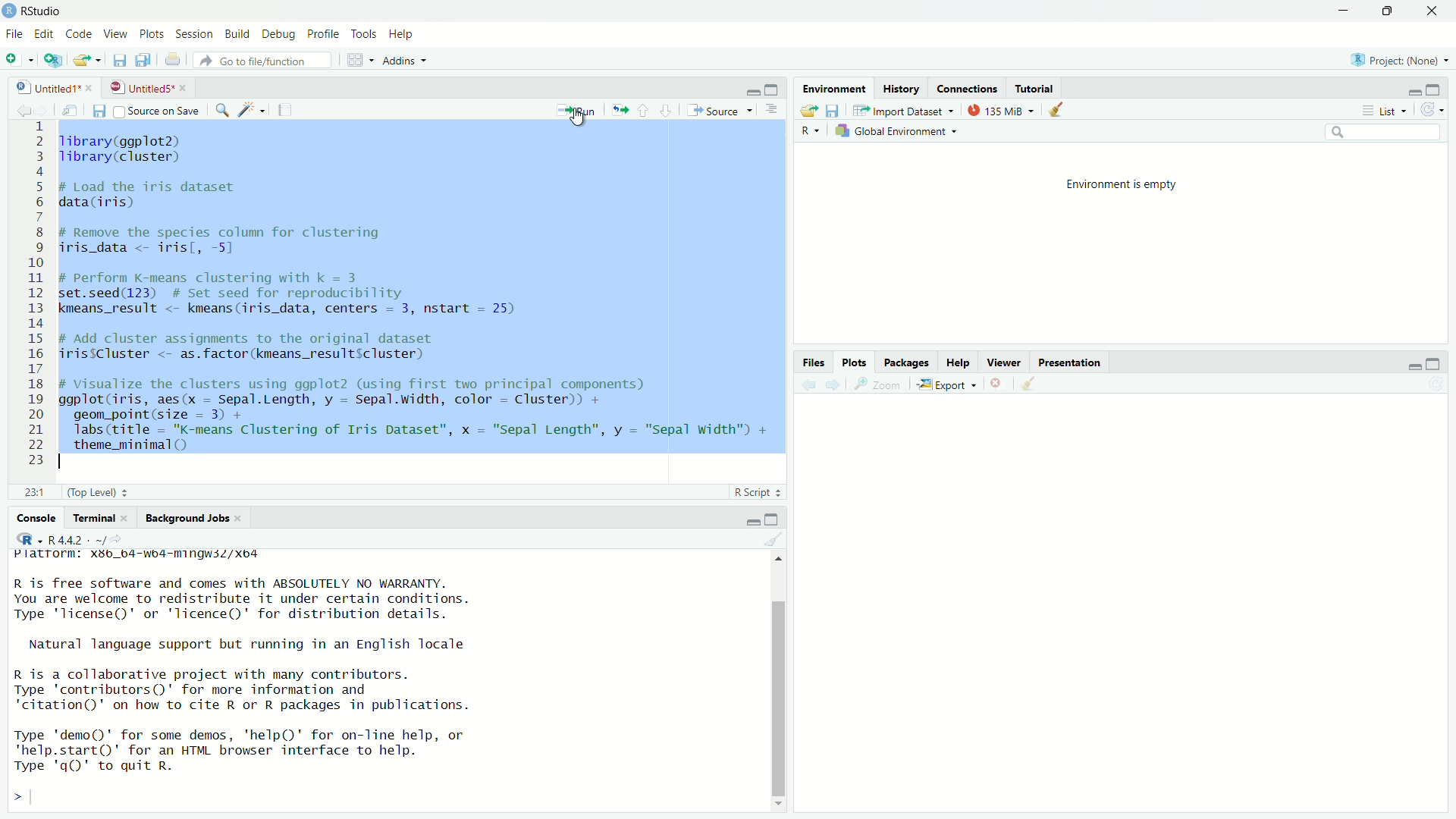 Image resolution: width=1456 pixels, height=819 pixels. Describe the element at coordinates (315, 297) in the screenshot. I see `# Perform K-means clustering with k = 3   set.seed(123) # Set seed for reproducibility   kmeans_result <- kmeans(iris_data, centers = 3, nstart = 25)` at that location.